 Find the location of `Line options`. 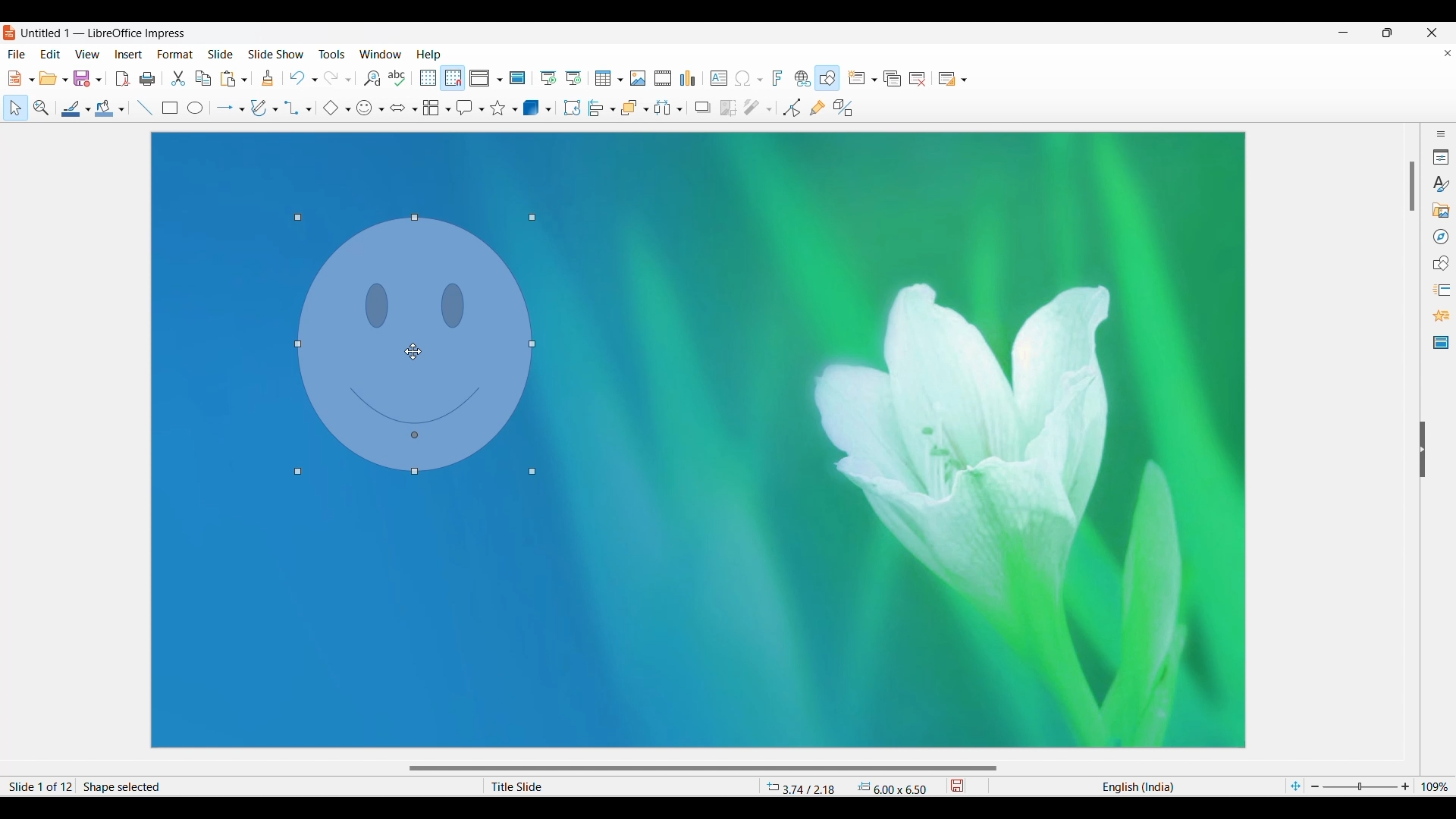

Line options is located at coordinates (88, 110).